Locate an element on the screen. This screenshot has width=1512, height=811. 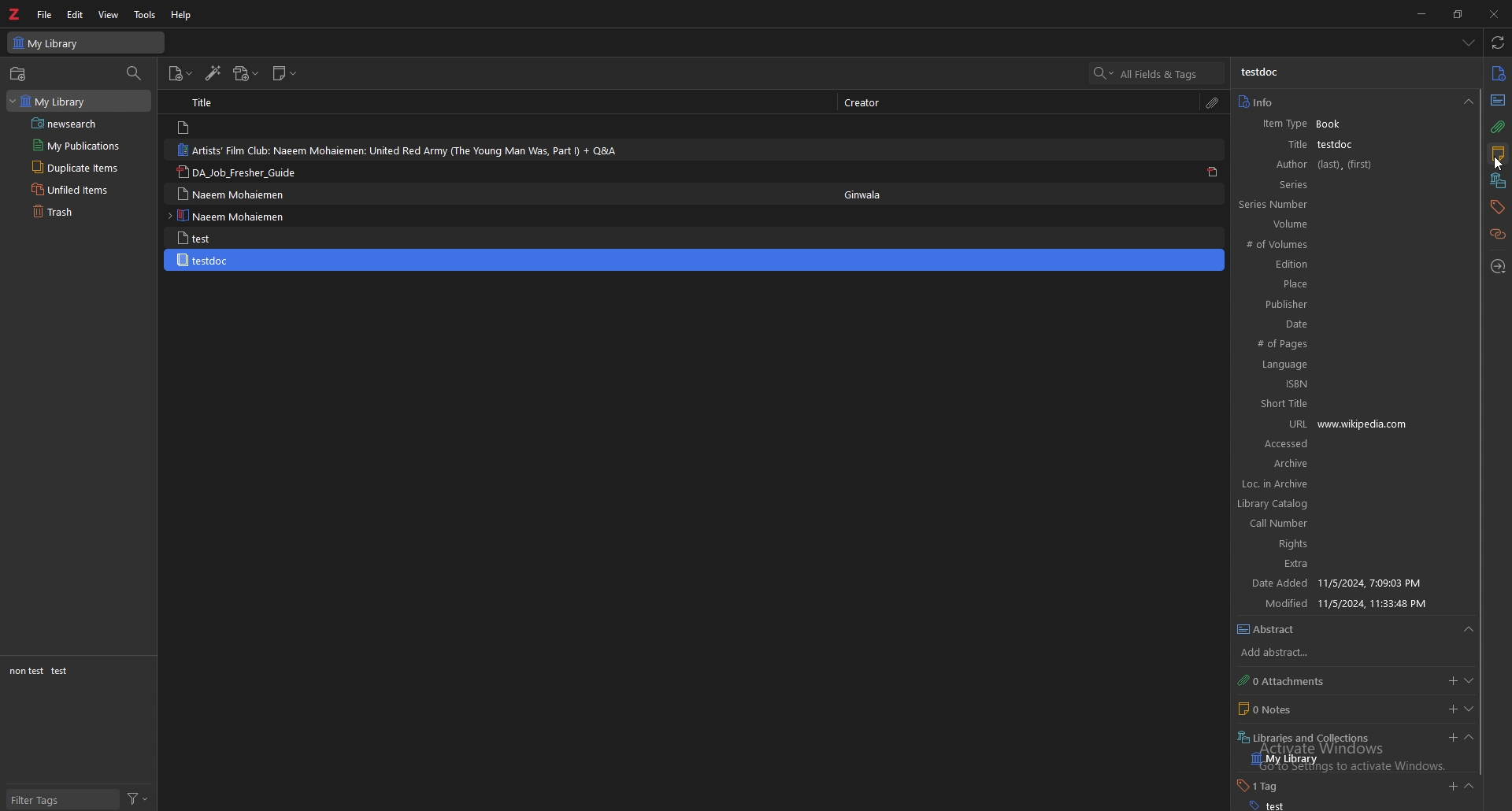
creator is located at coordinates (874, 102).